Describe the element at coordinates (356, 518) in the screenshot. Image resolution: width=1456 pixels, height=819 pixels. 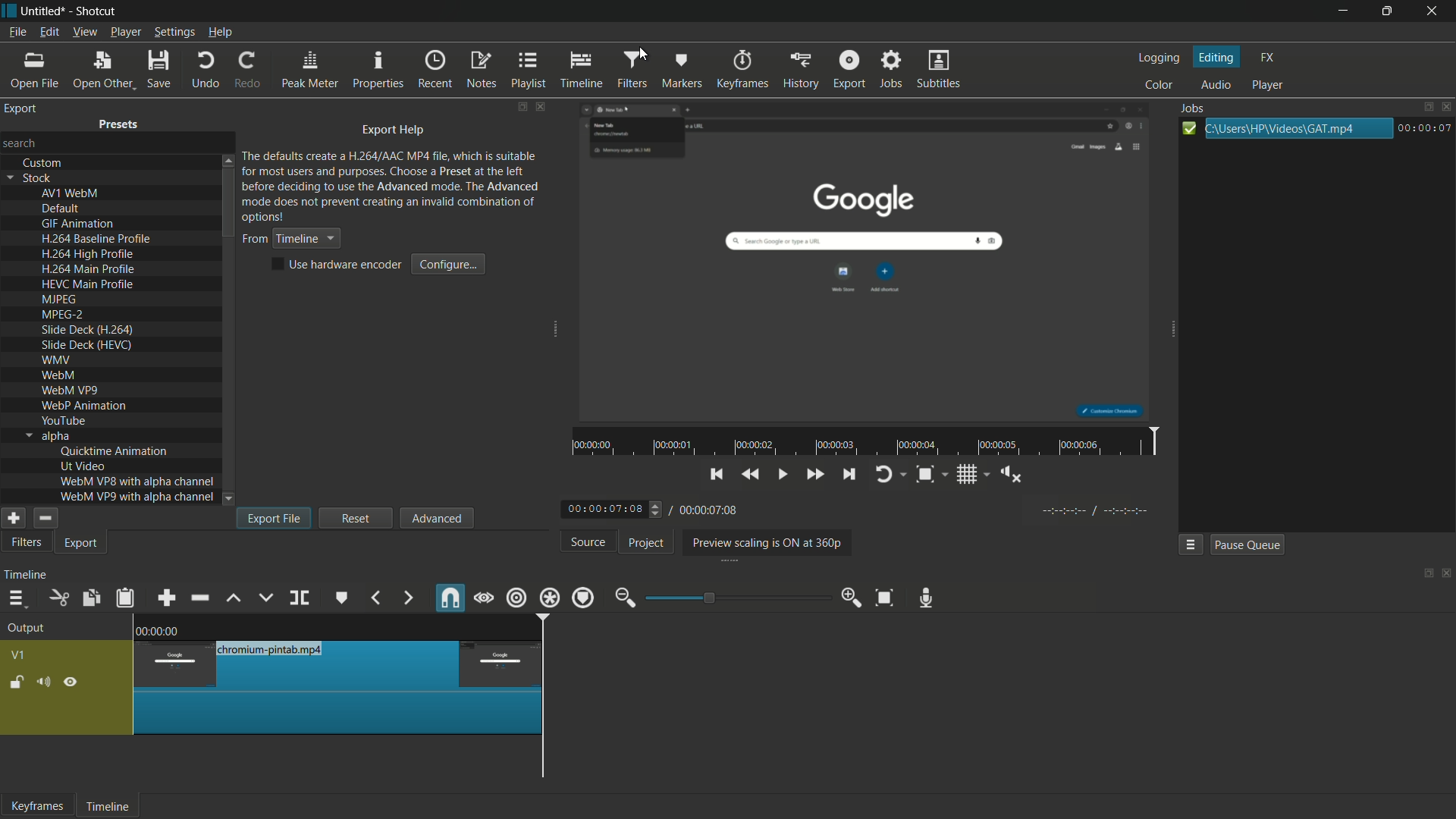
I see `reset` at that location.